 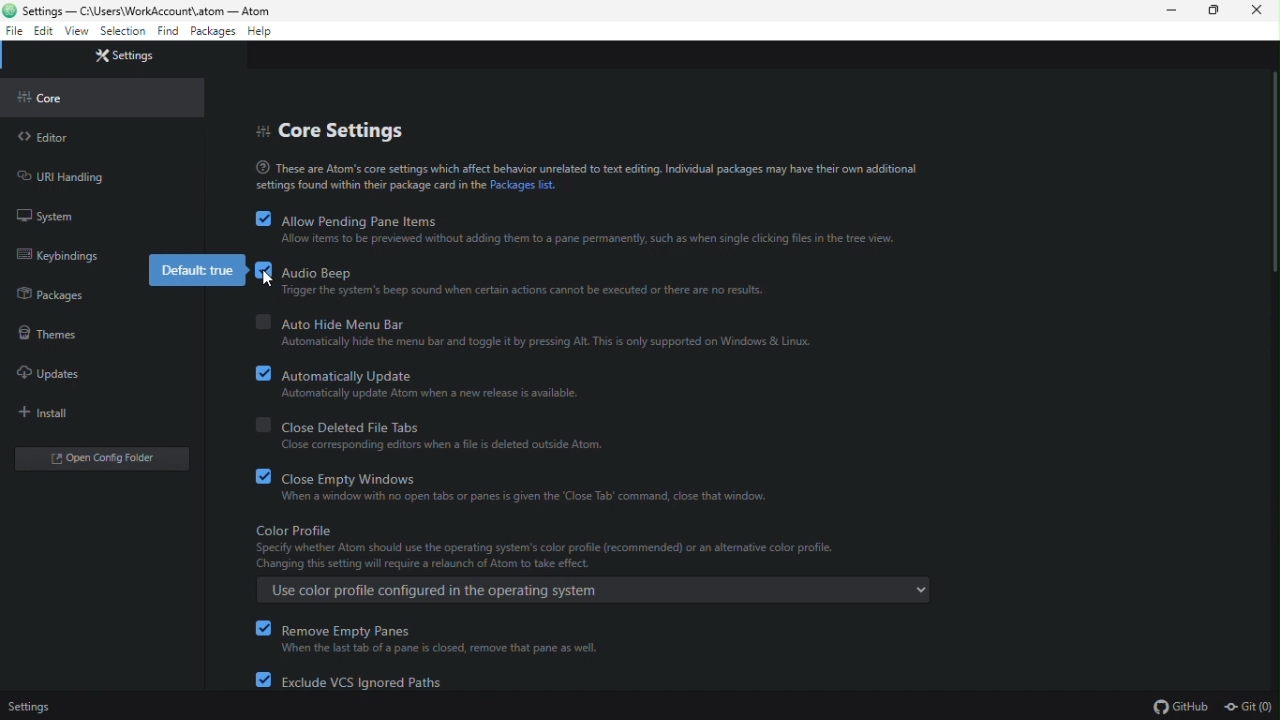 What do you see at coordinates (511, 478) in the screenshot?
I see `close empty windows` at bounding box center [511, 478].